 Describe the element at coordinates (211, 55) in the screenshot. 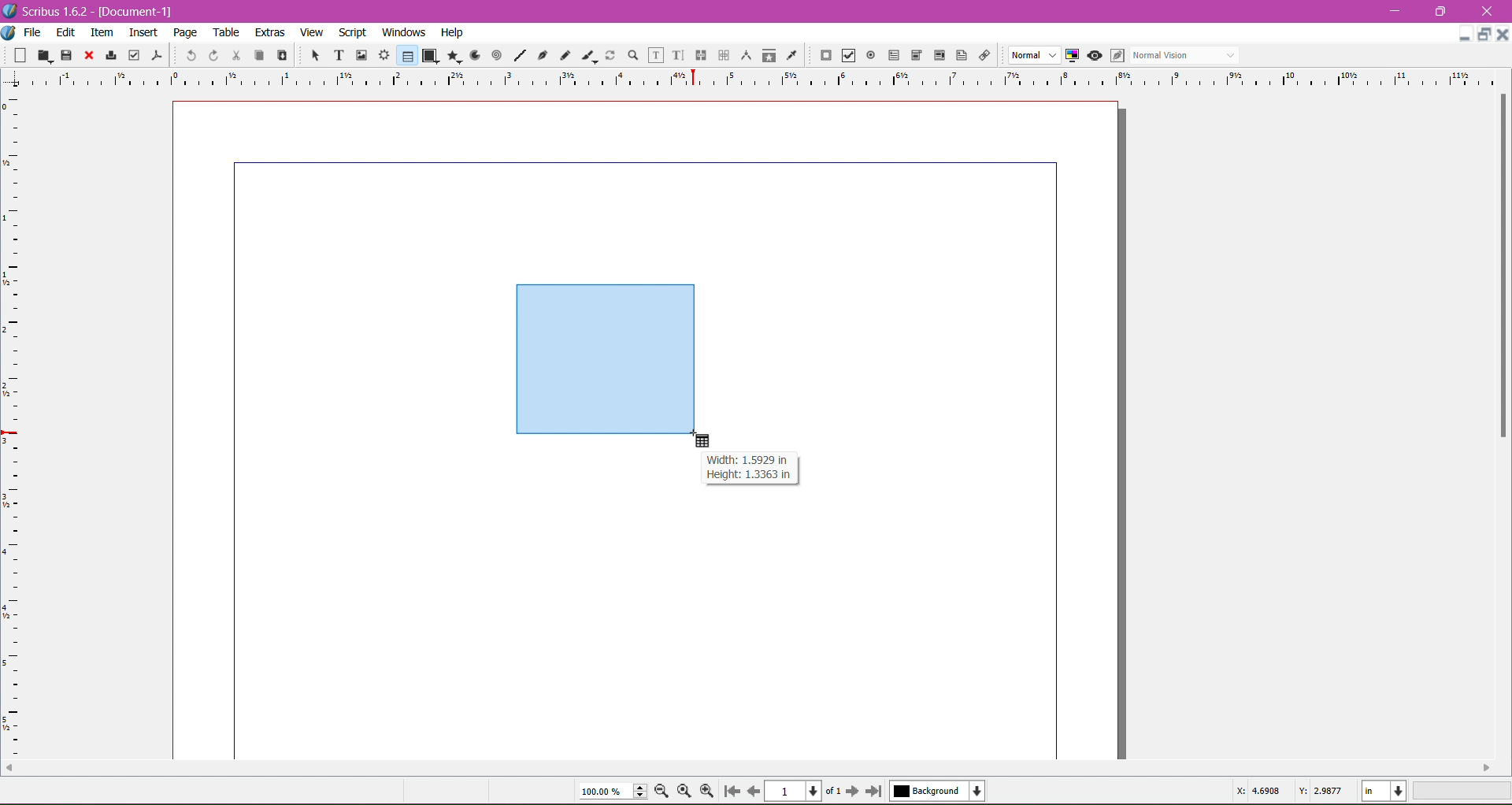

I see `Redo` at that location.